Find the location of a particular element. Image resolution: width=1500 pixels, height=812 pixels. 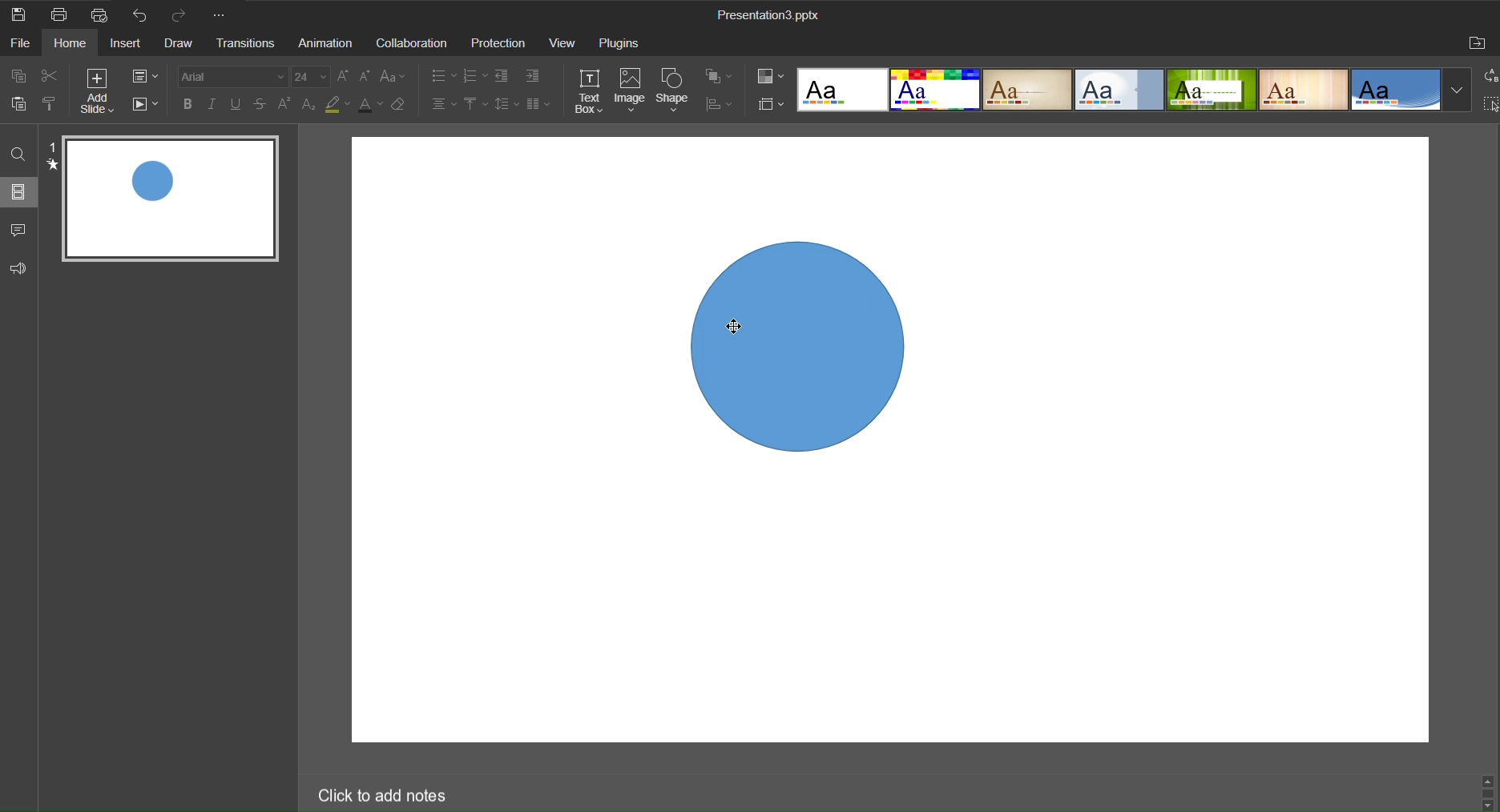

Add Slide is located at coordinates (101, 90).